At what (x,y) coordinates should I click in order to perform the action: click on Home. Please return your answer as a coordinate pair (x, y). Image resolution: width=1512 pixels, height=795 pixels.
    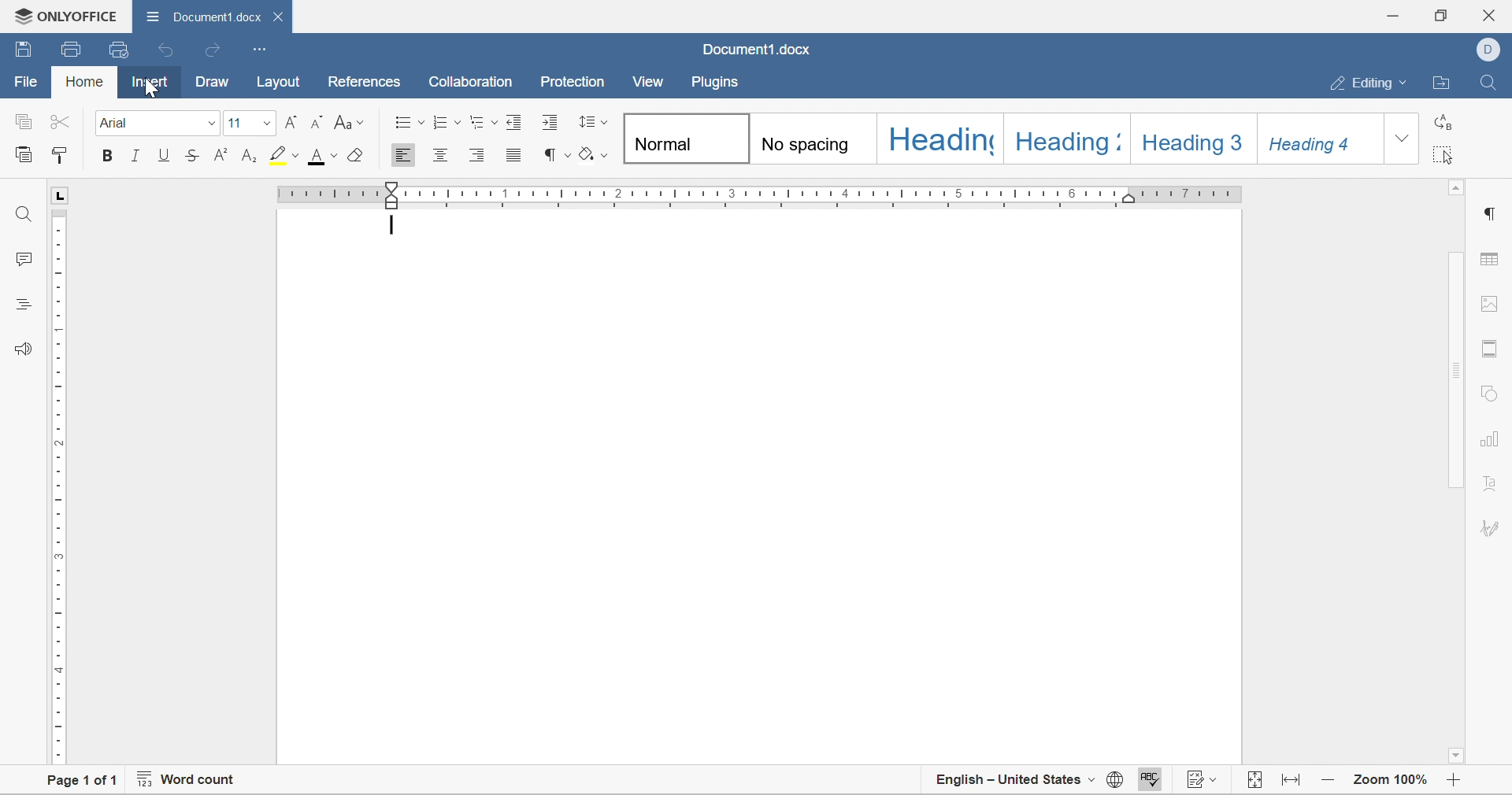
    Looking at the image, I should click on (83, 84).